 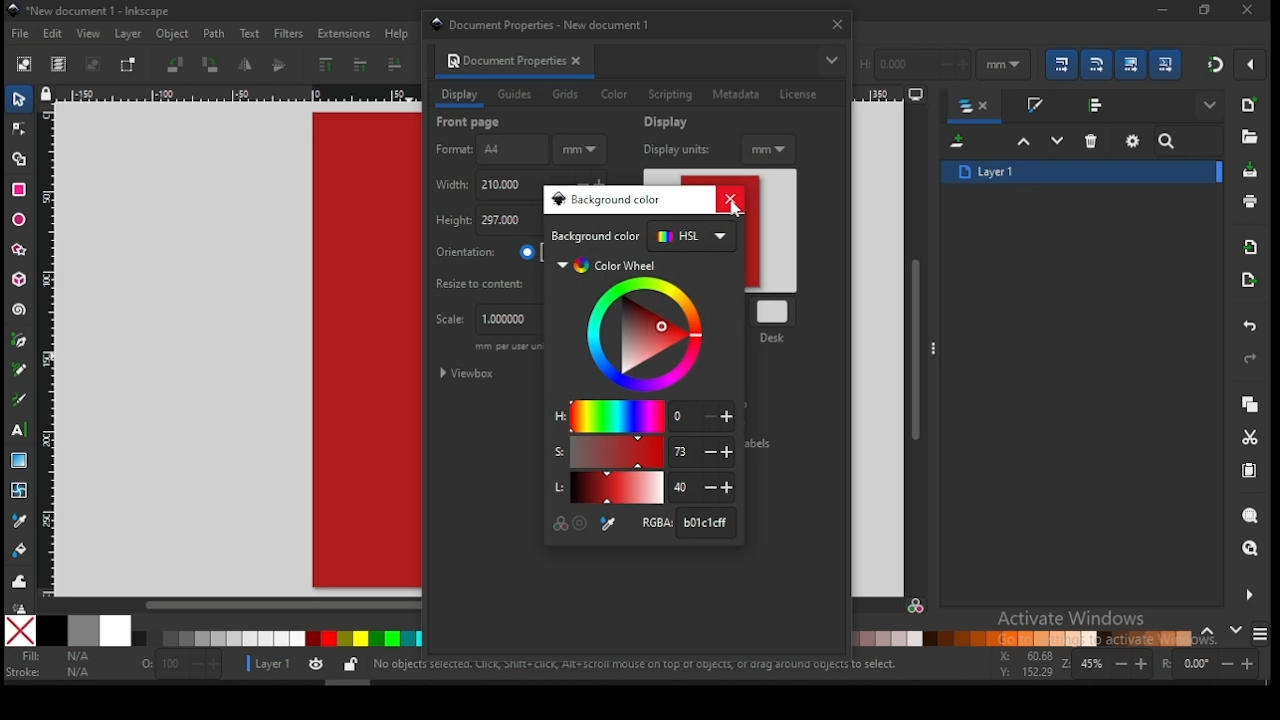 What do you see at coordinates (1058, 64) in the screenshot?
I see `when scaling objects, scale the stroke width in same proportion` at bounding box center [1058, 64].